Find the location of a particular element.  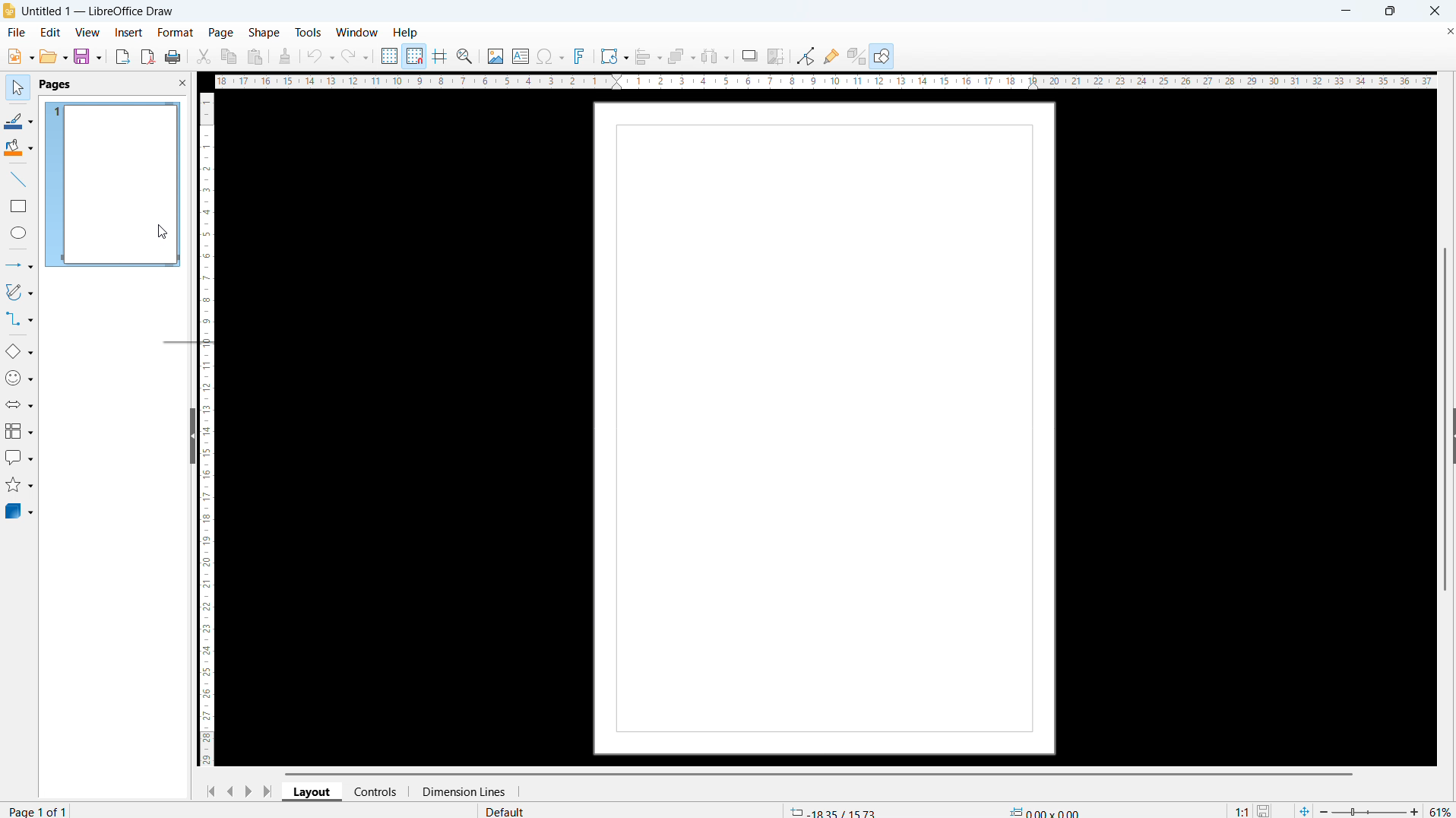

zoom level is located at coordinates (1441, 809).